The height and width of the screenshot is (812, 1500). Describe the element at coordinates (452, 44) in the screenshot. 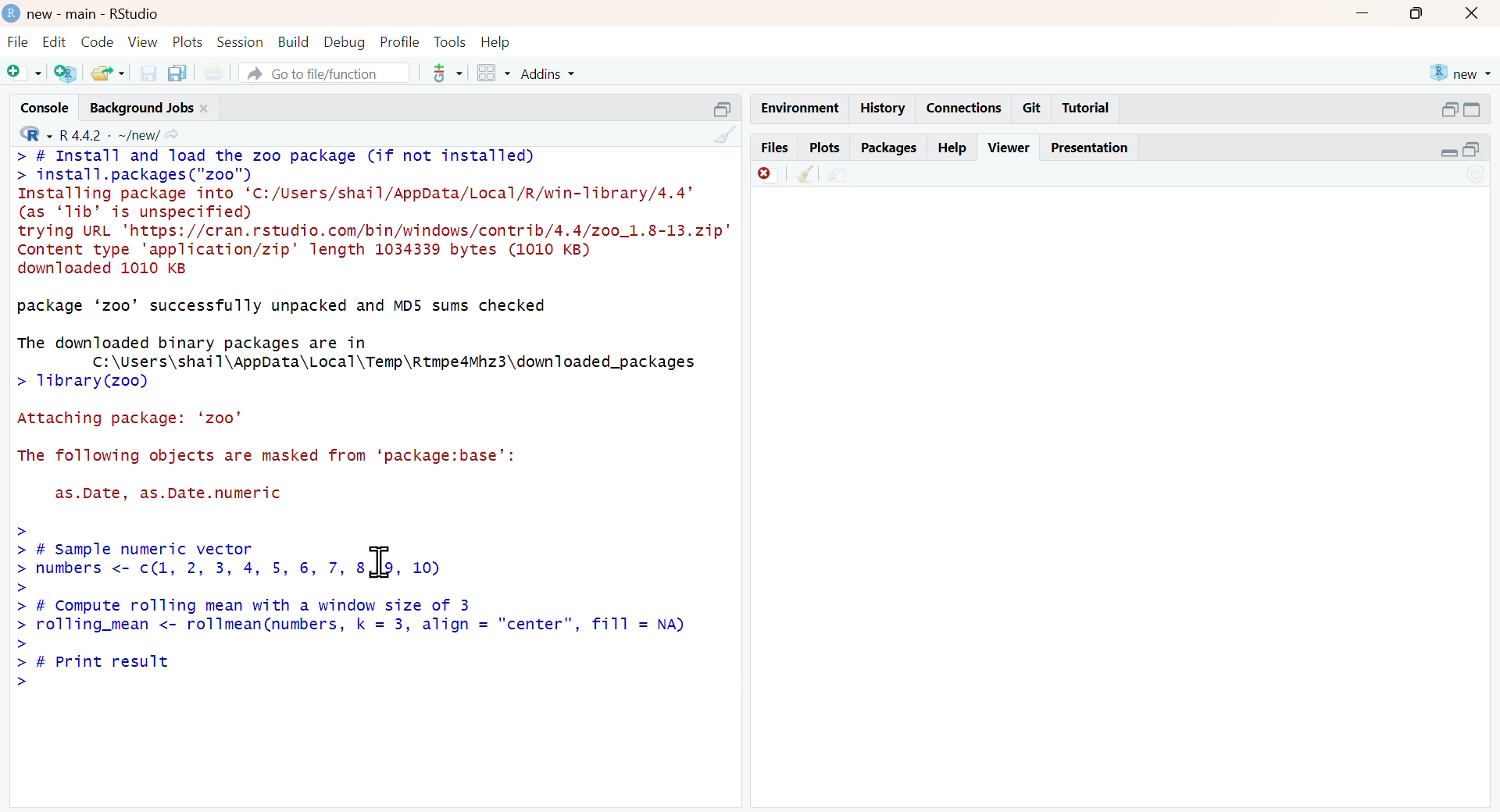

I see `tools` at that location.